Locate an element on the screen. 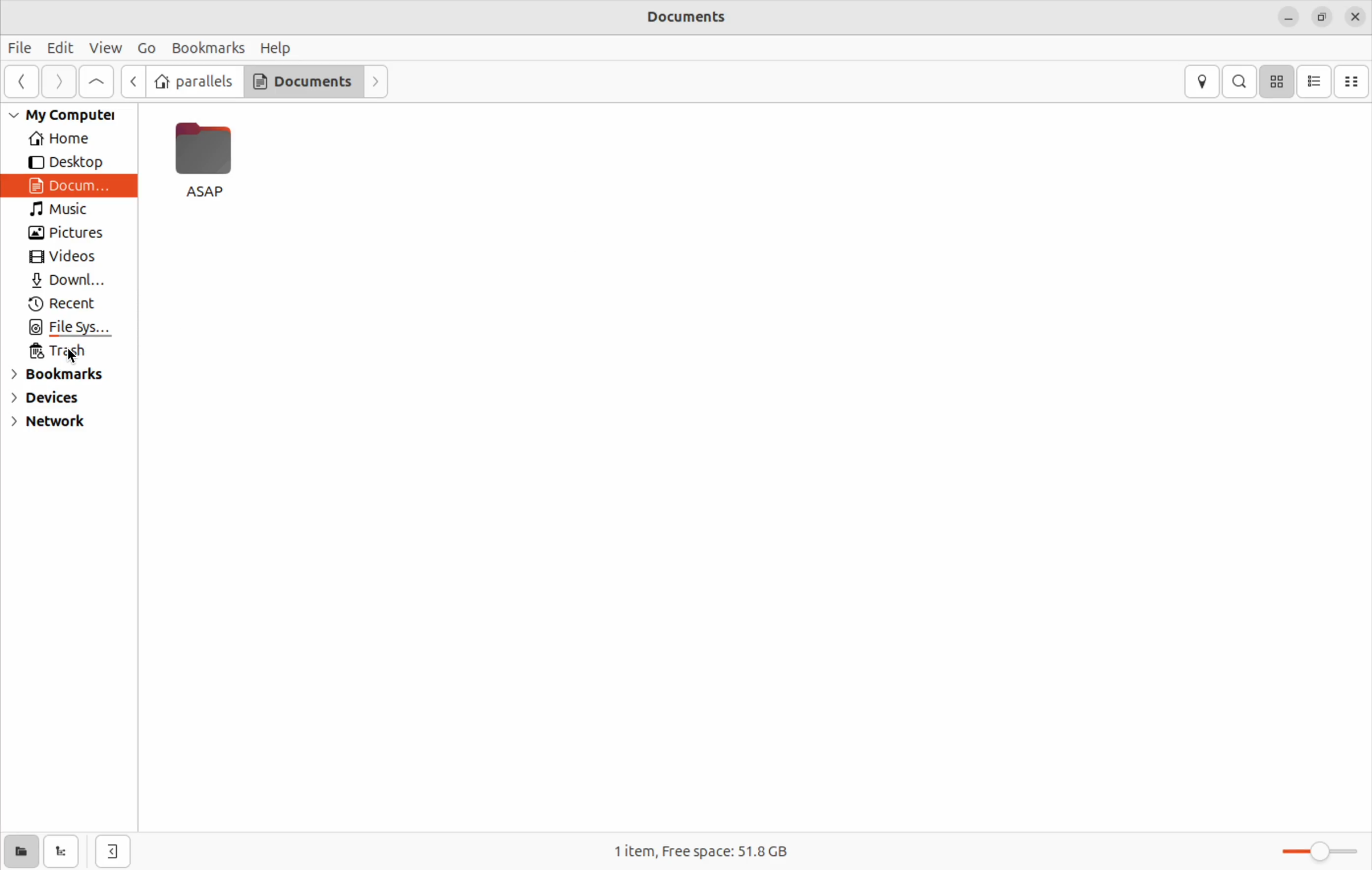 The width and height of the screenshot is (1372, 870). Downloads is located at coordinates (68, 283).